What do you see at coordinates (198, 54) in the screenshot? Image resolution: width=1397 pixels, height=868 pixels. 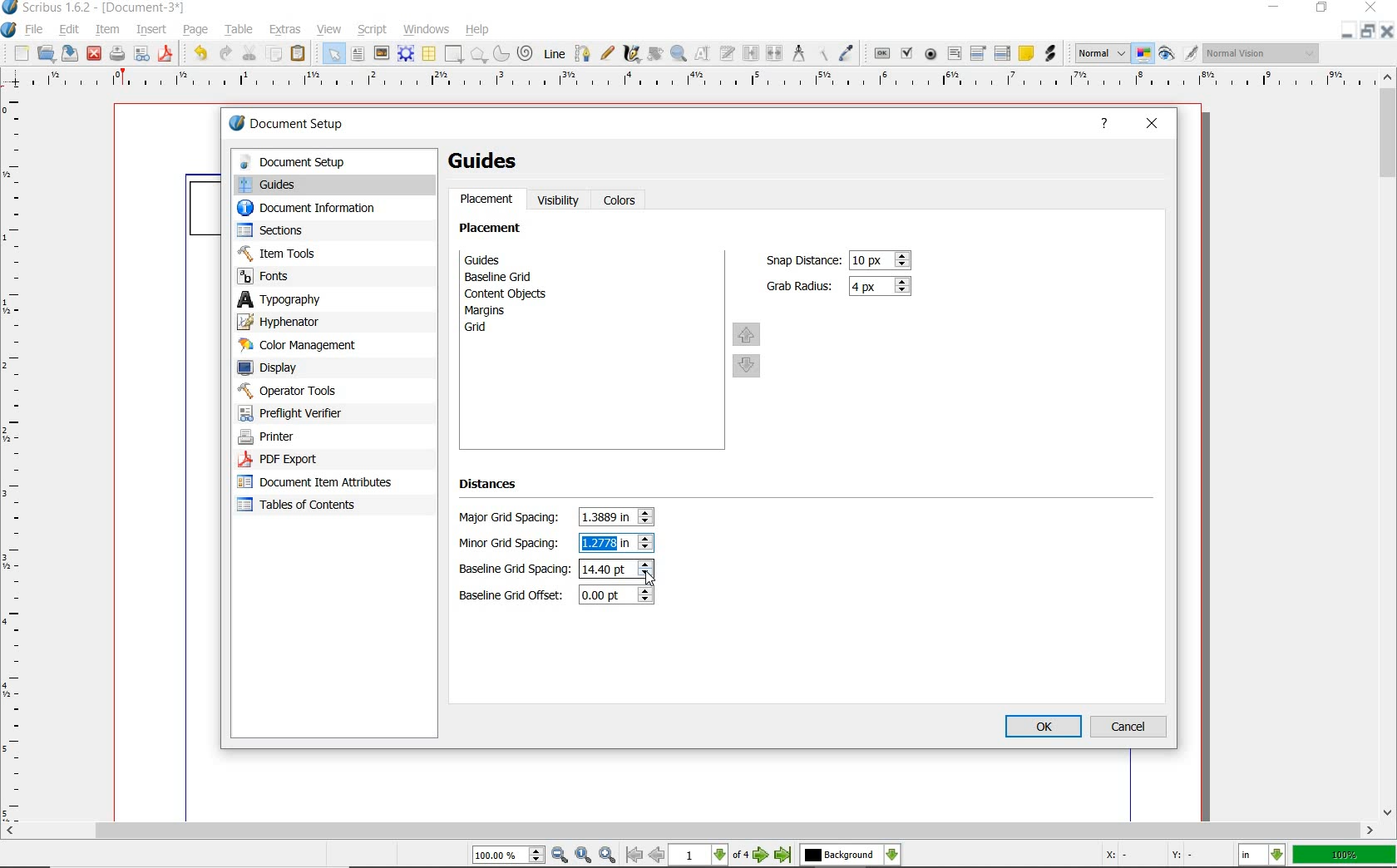 I see `undo` at bounding box center [198, 54].